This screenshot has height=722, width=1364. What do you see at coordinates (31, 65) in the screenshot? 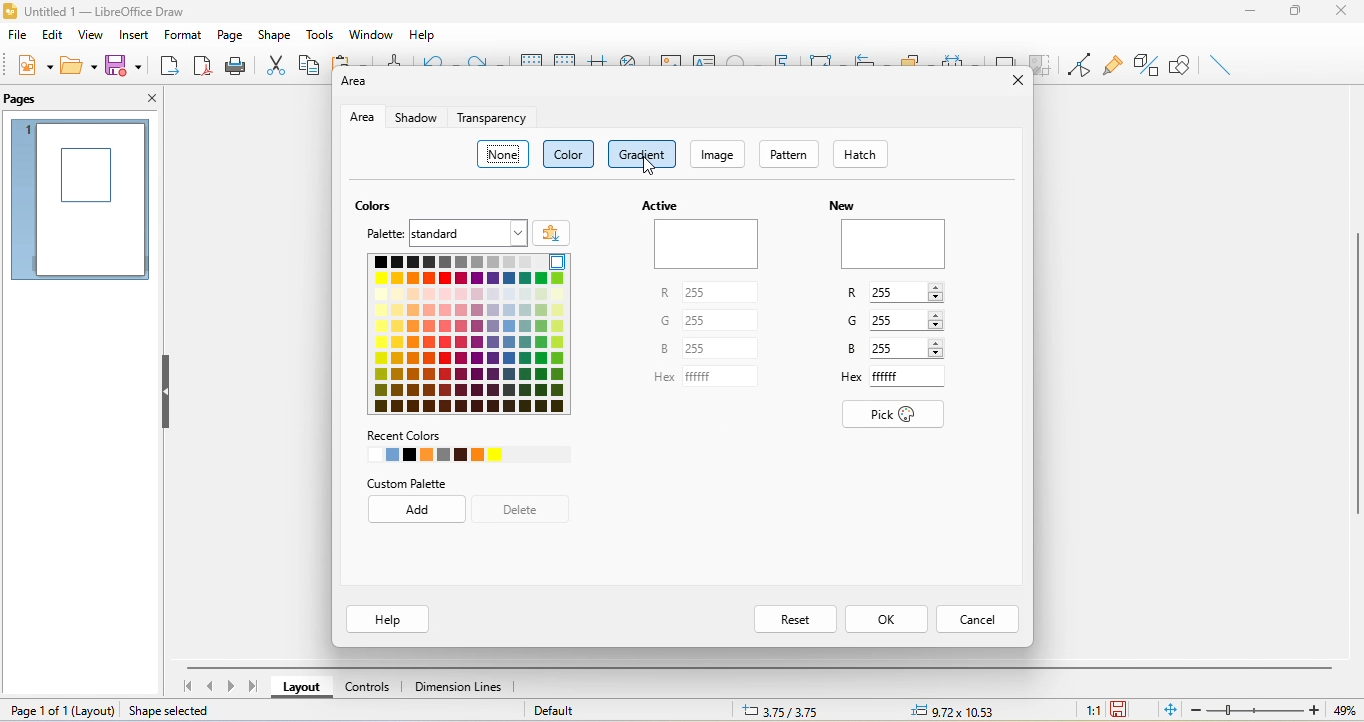
I see `new` at bounding box center [31, 65].